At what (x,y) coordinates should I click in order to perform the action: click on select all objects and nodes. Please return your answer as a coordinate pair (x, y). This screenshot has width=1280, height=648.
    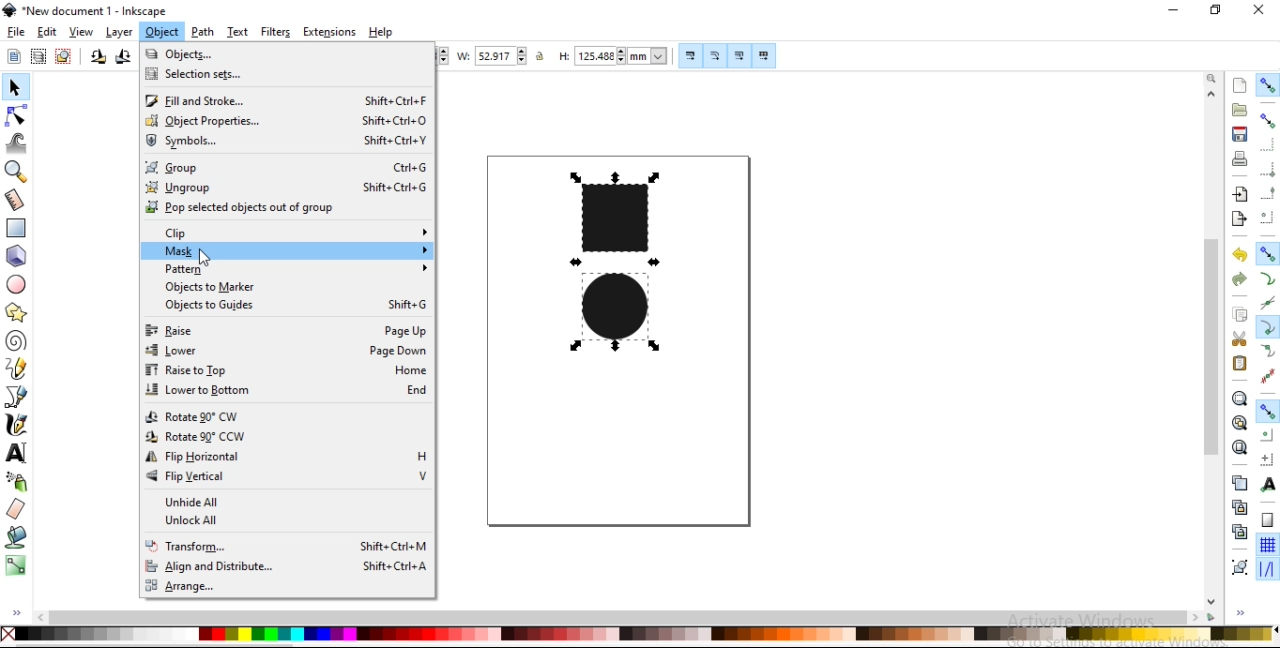
    Looking at the image, I should click on (13, 57).